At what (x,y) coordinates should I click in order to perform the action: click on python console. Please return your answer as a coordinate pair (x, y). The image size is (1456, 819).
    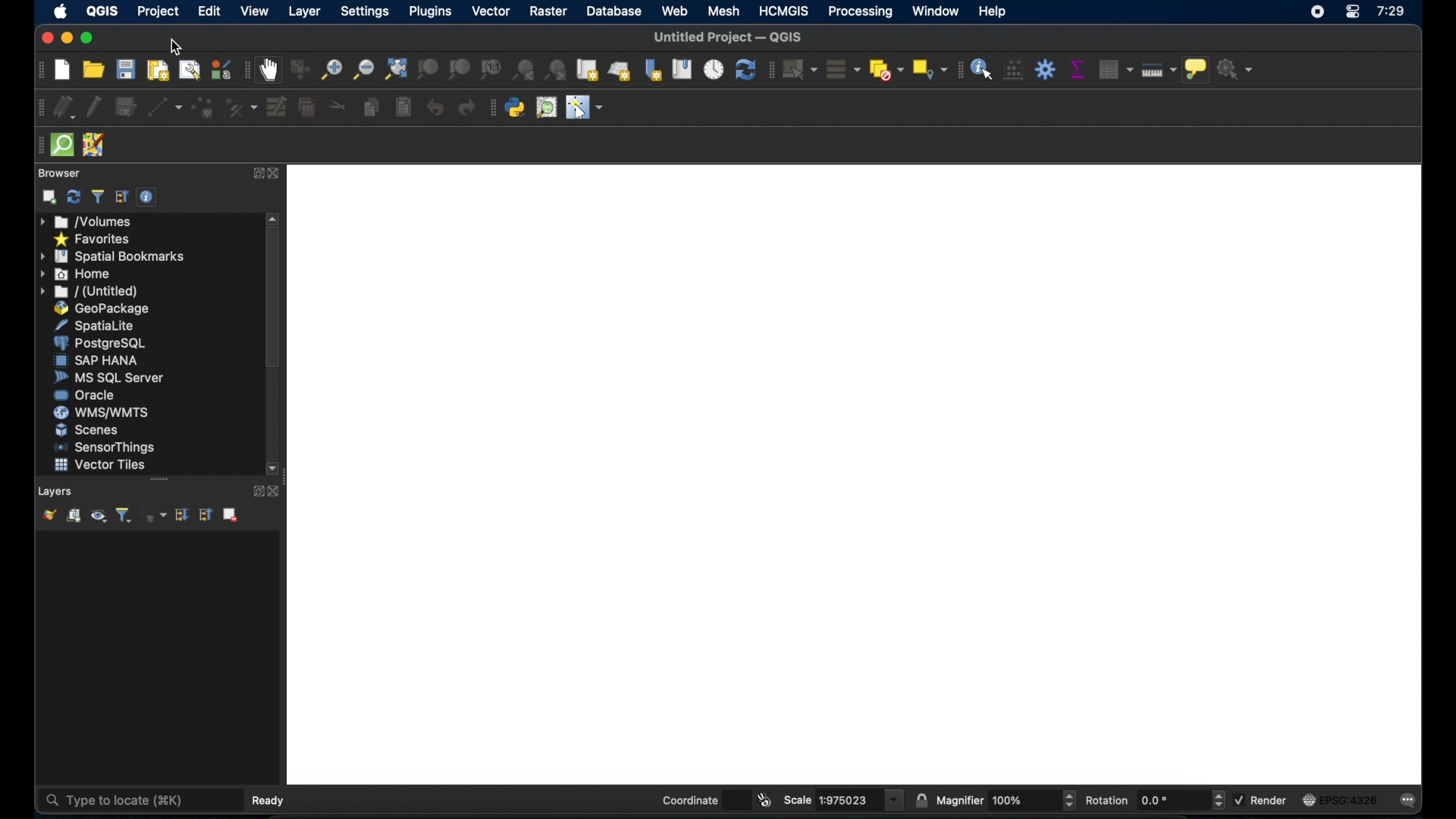
    Looking at the image, I should click on (516, 108).